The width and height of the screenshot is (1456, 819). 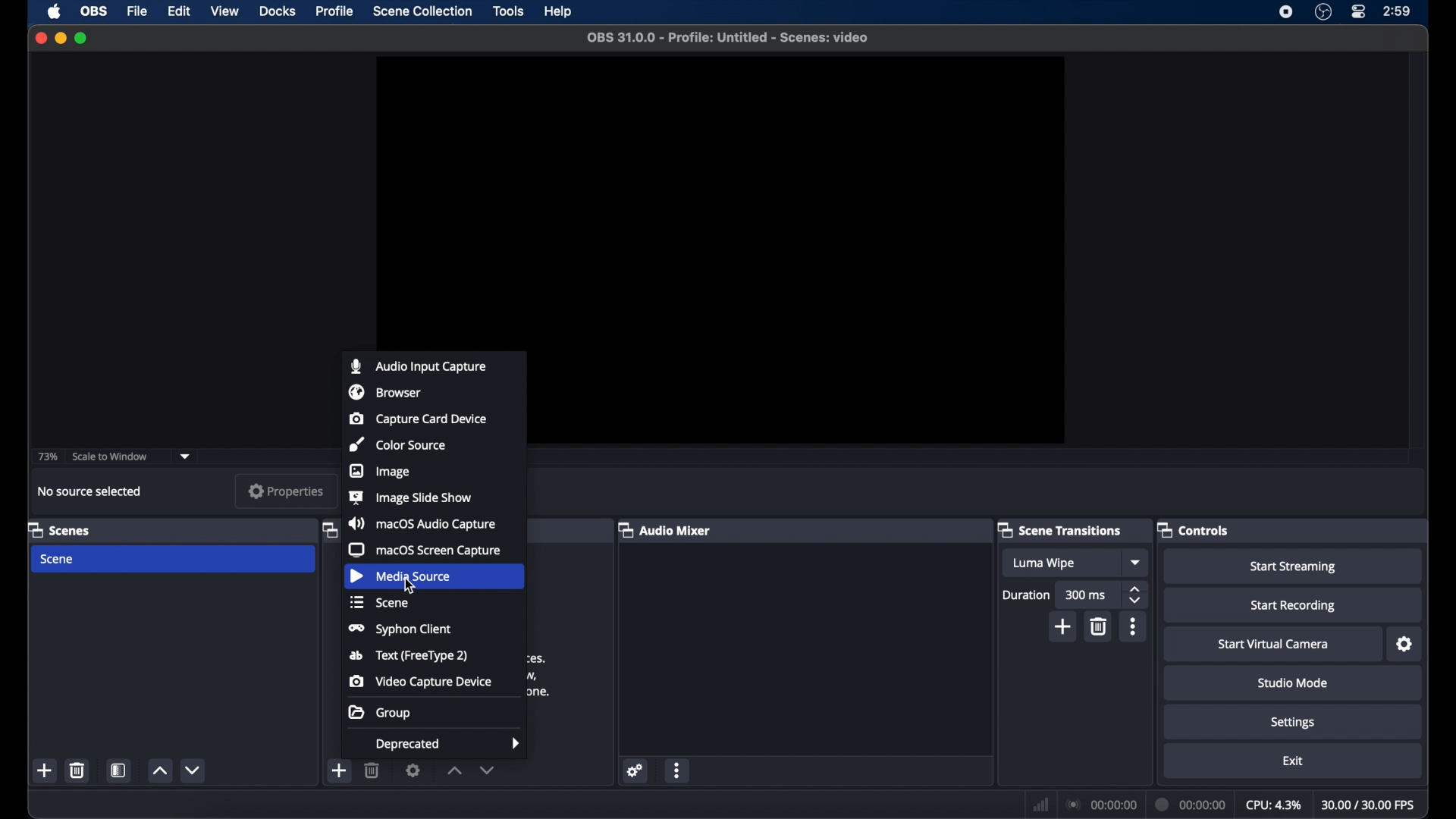 I want to click on file, so click(x=138, y=12).